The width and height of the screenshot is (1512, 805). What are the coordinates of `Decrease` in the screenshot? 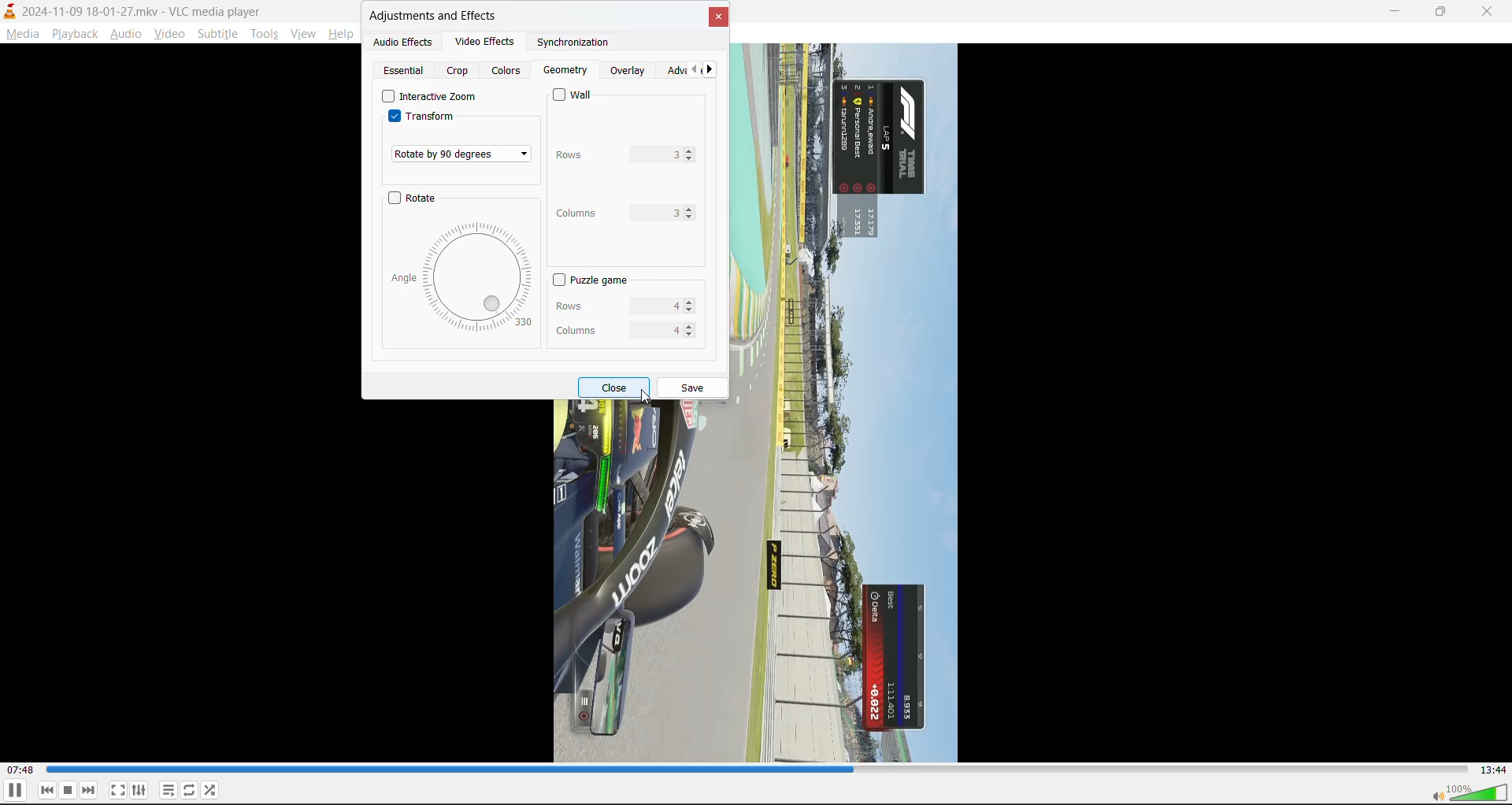 It's located at (691, 160).